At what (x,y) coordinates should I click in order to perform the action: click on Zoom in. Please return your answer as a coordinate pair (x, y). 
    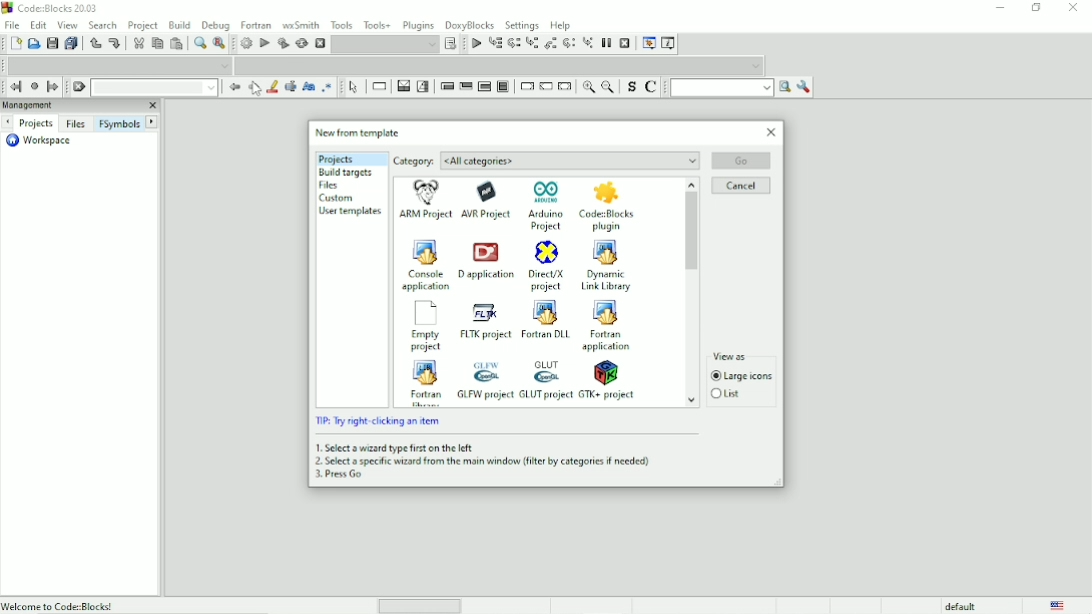
    Looking at the image, I should click on (588, 87).